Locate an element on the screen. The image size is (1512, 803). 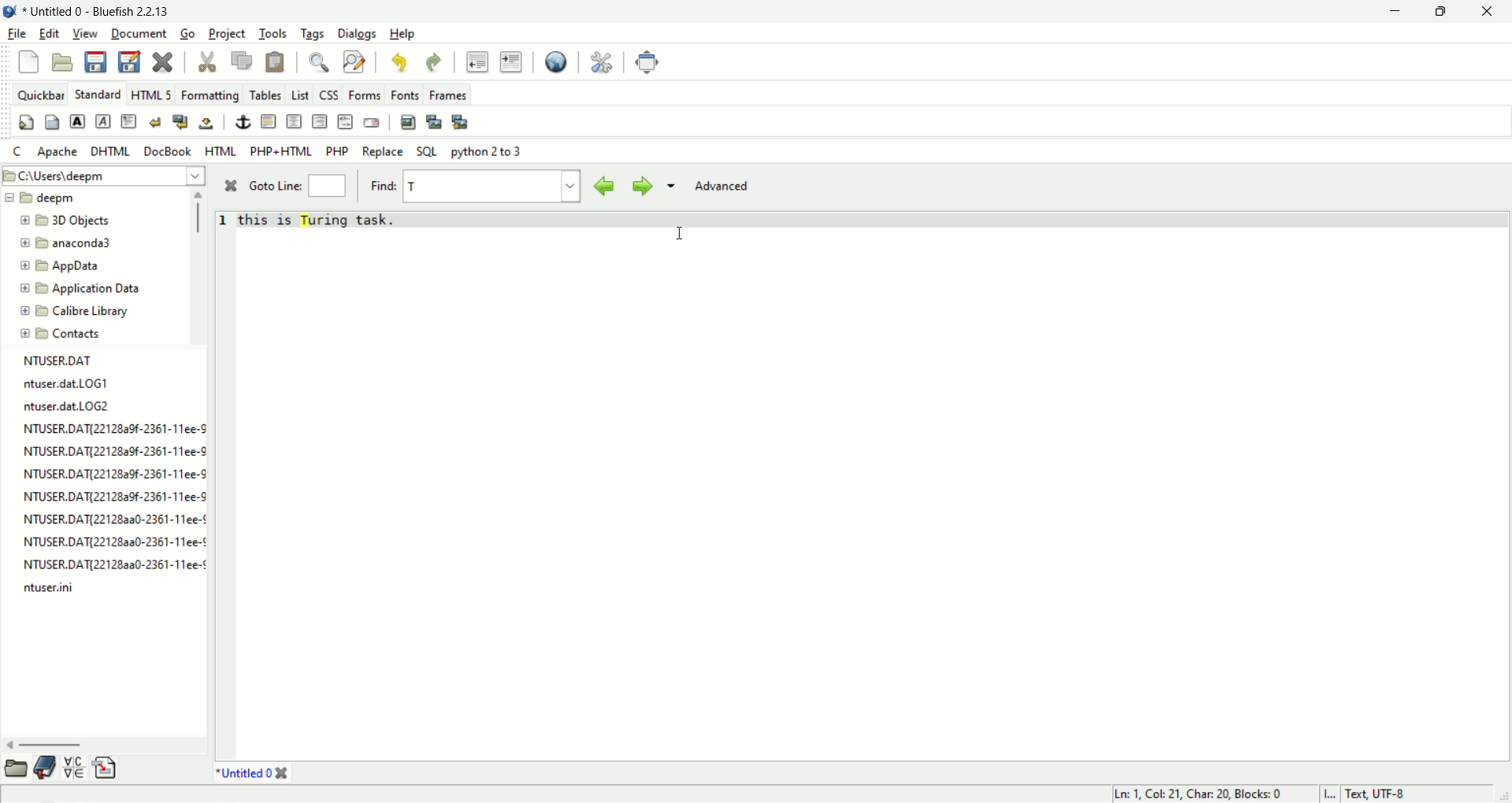
bookmark is located at coordinates (44, 767).